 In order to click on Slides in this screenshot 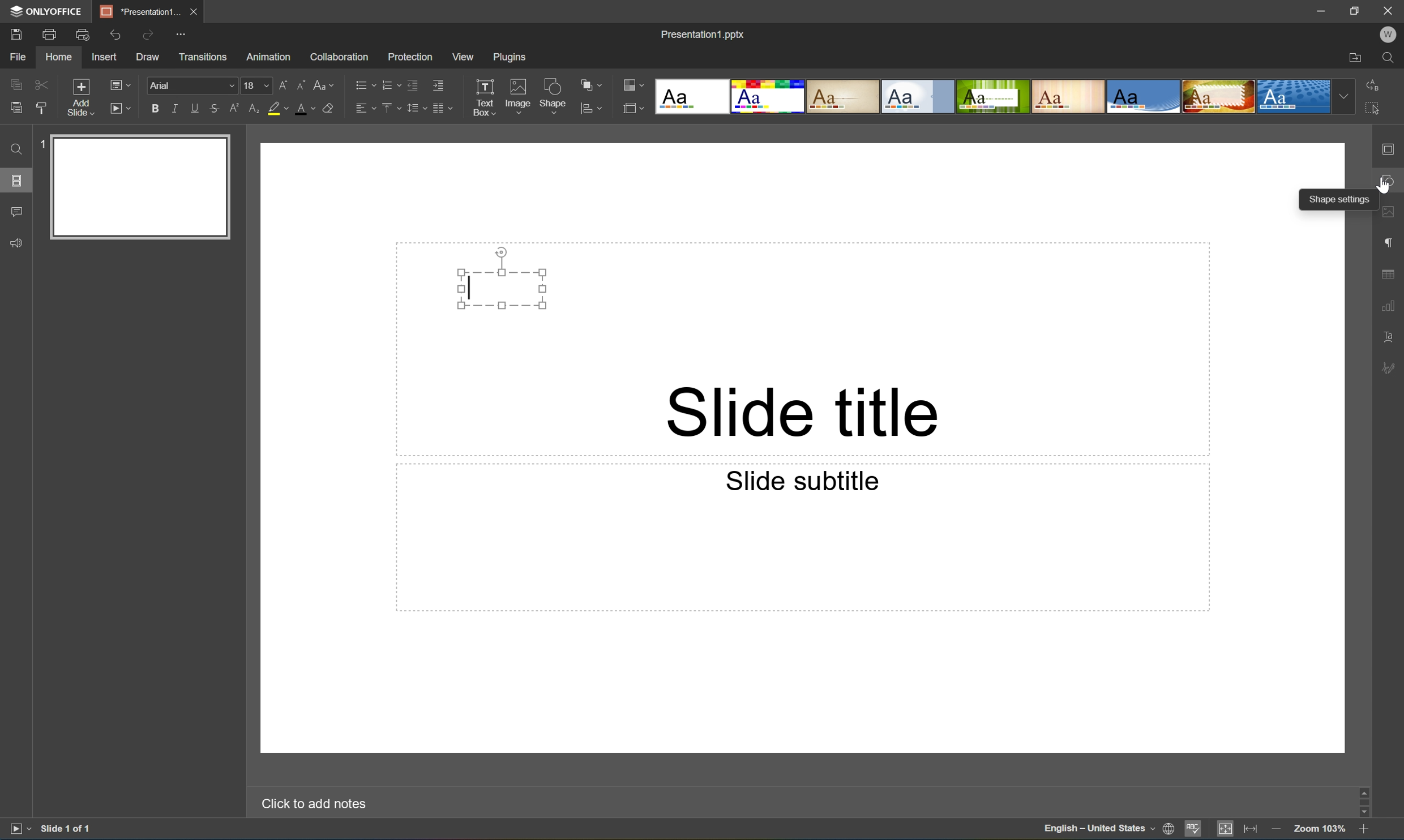, I will do `click(19, 181)`.